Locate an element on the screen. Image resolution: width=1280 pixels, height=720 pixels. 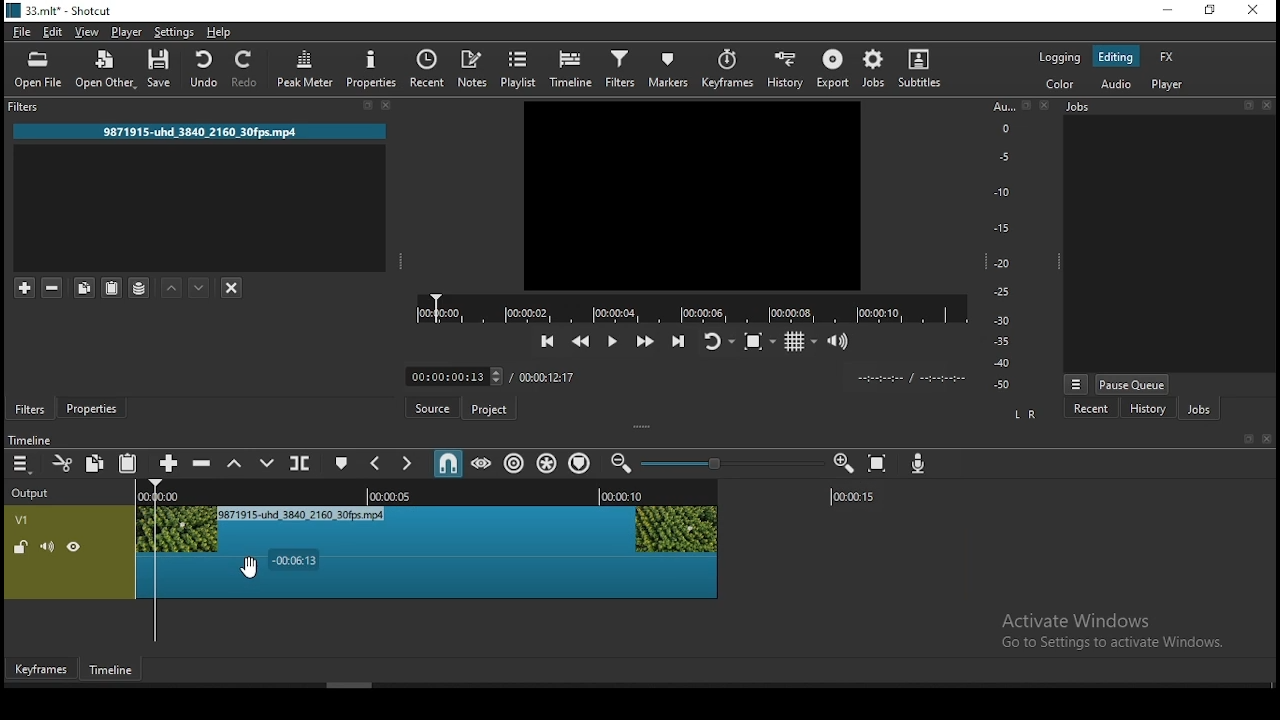
video clip is located at coordinates (430, 542).